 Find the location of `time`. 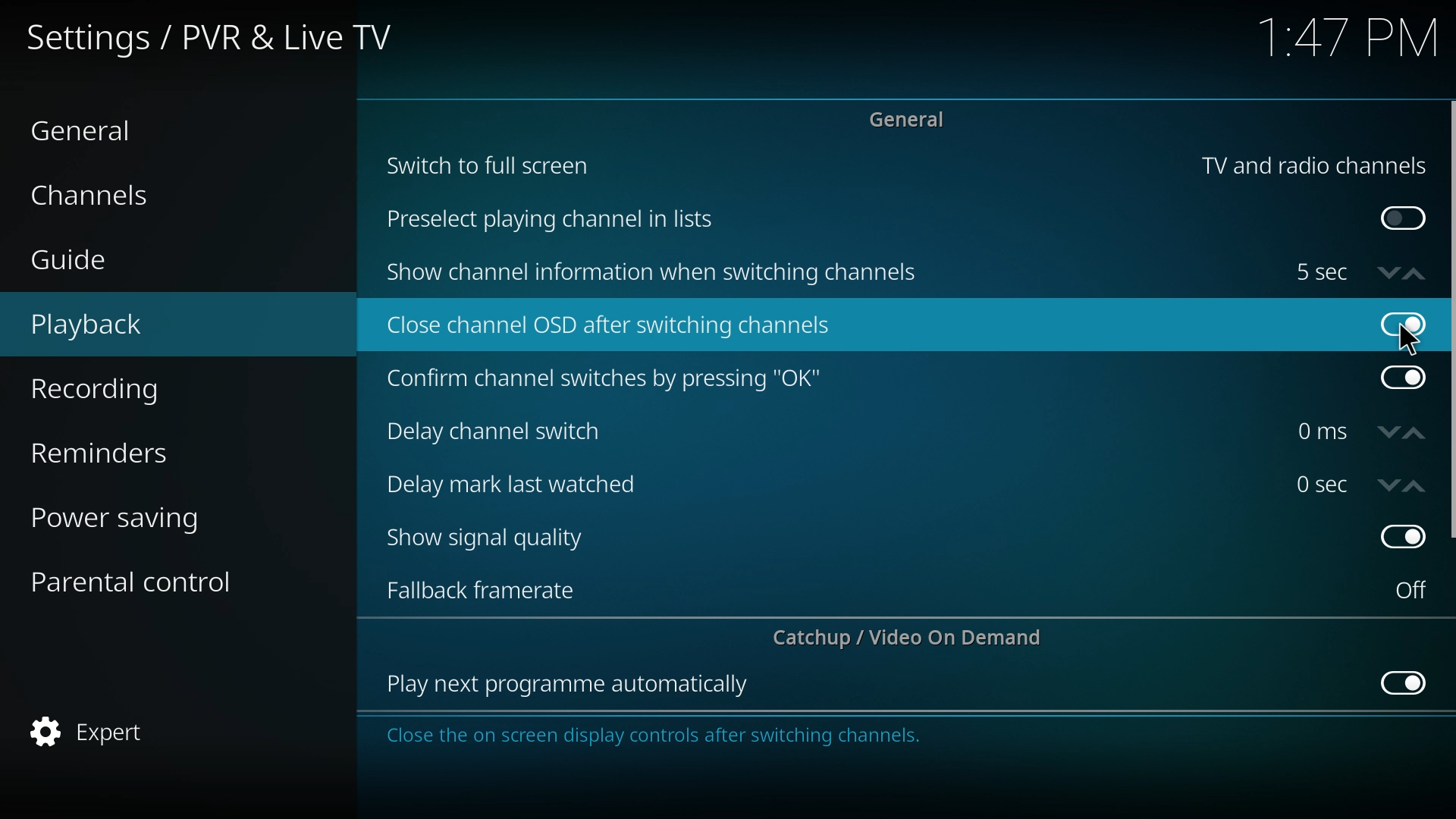

time is located at coordinates (1347, 39).